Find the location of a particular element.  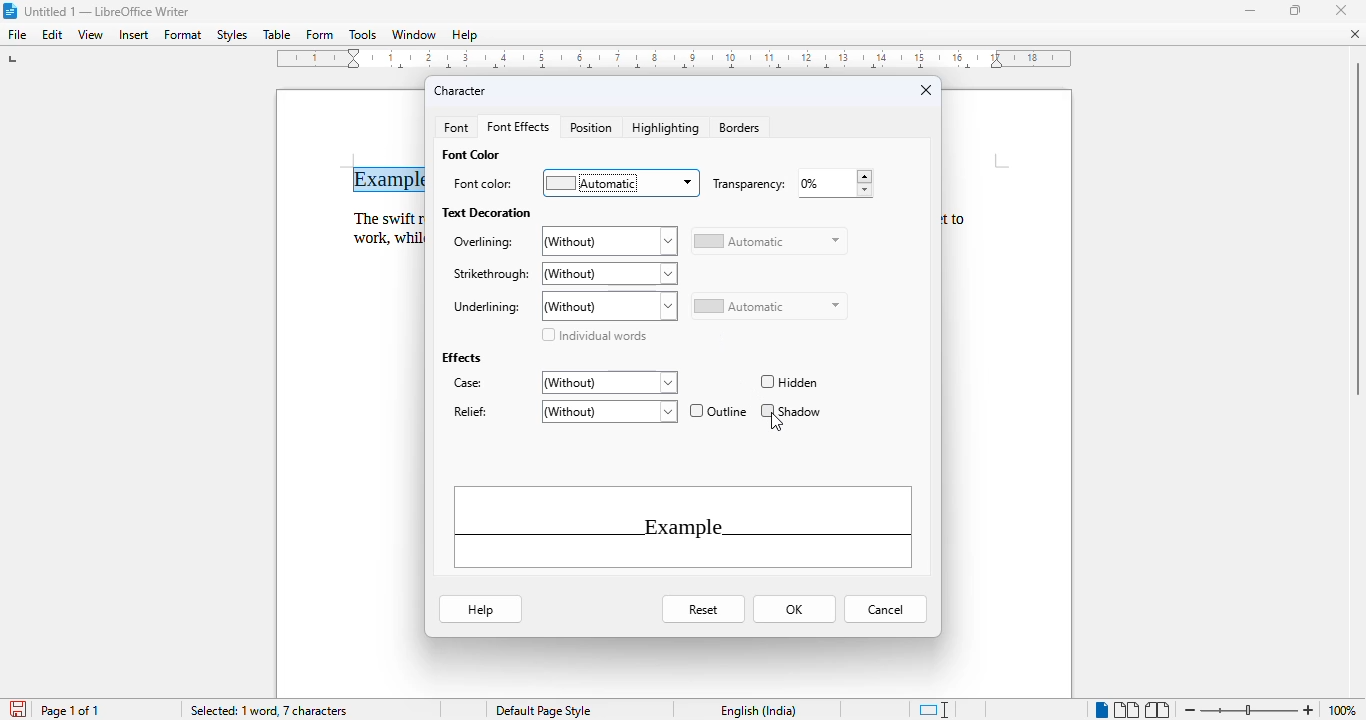

insert is located at coordinates (133, 35).